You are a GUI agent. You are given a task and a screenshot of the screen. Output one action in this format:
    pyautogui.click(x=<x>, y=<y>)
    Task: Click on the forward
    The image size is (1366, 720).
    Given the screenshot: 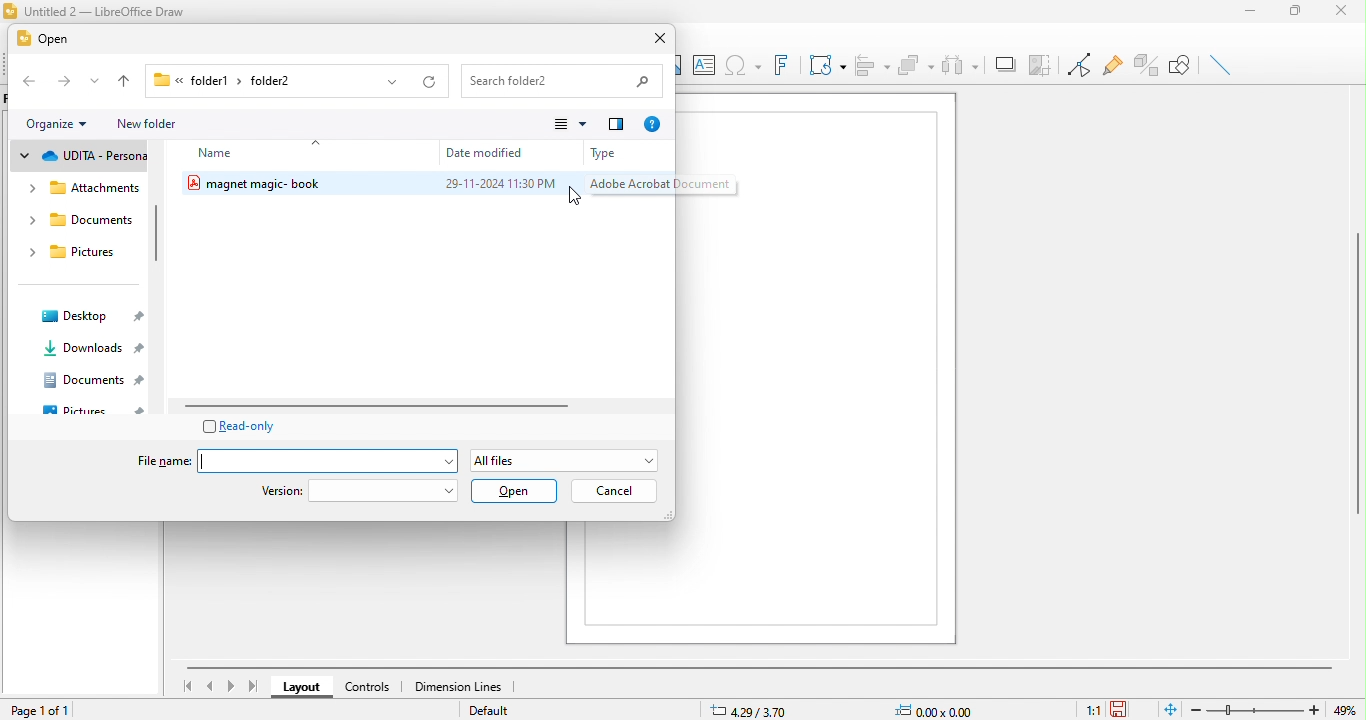 What is the action you would take?
    pyautogui.click(x=62, y=82)
    